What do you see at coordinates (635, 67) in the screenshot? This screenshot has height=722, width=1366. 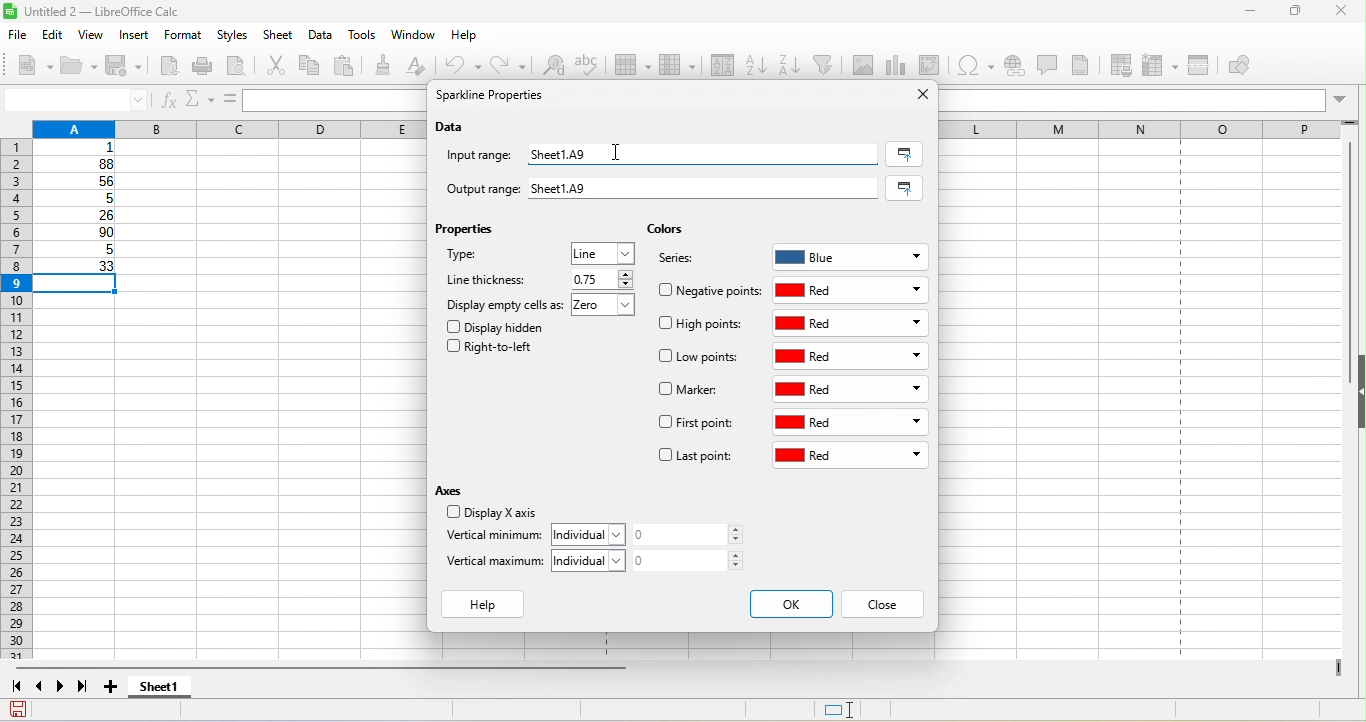 I see `row` at bounding box center [635, 67].